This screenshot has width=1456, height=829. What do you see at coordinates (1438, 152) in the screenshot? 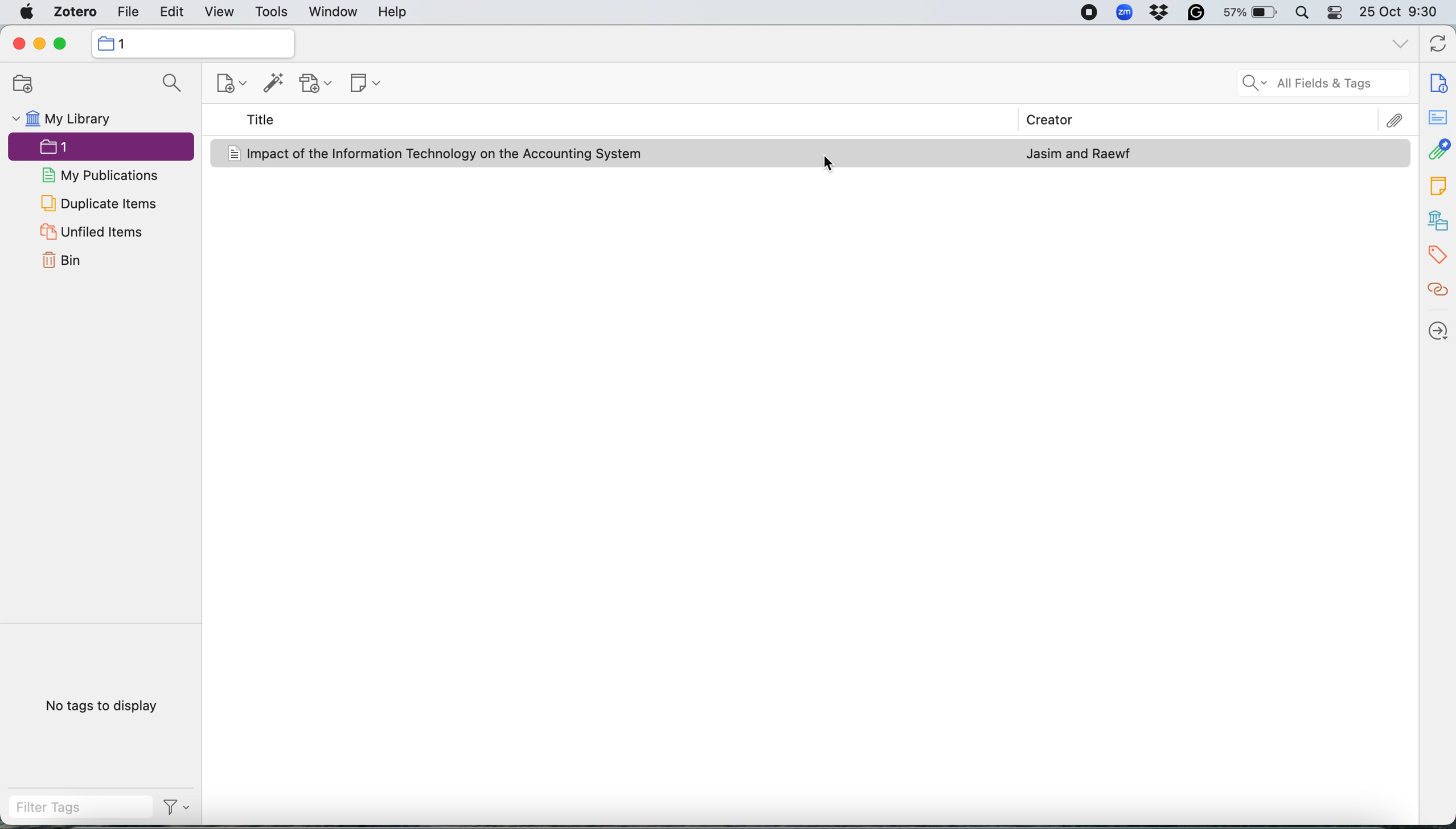
I see `attachments` at bounding box center [1438, 152].